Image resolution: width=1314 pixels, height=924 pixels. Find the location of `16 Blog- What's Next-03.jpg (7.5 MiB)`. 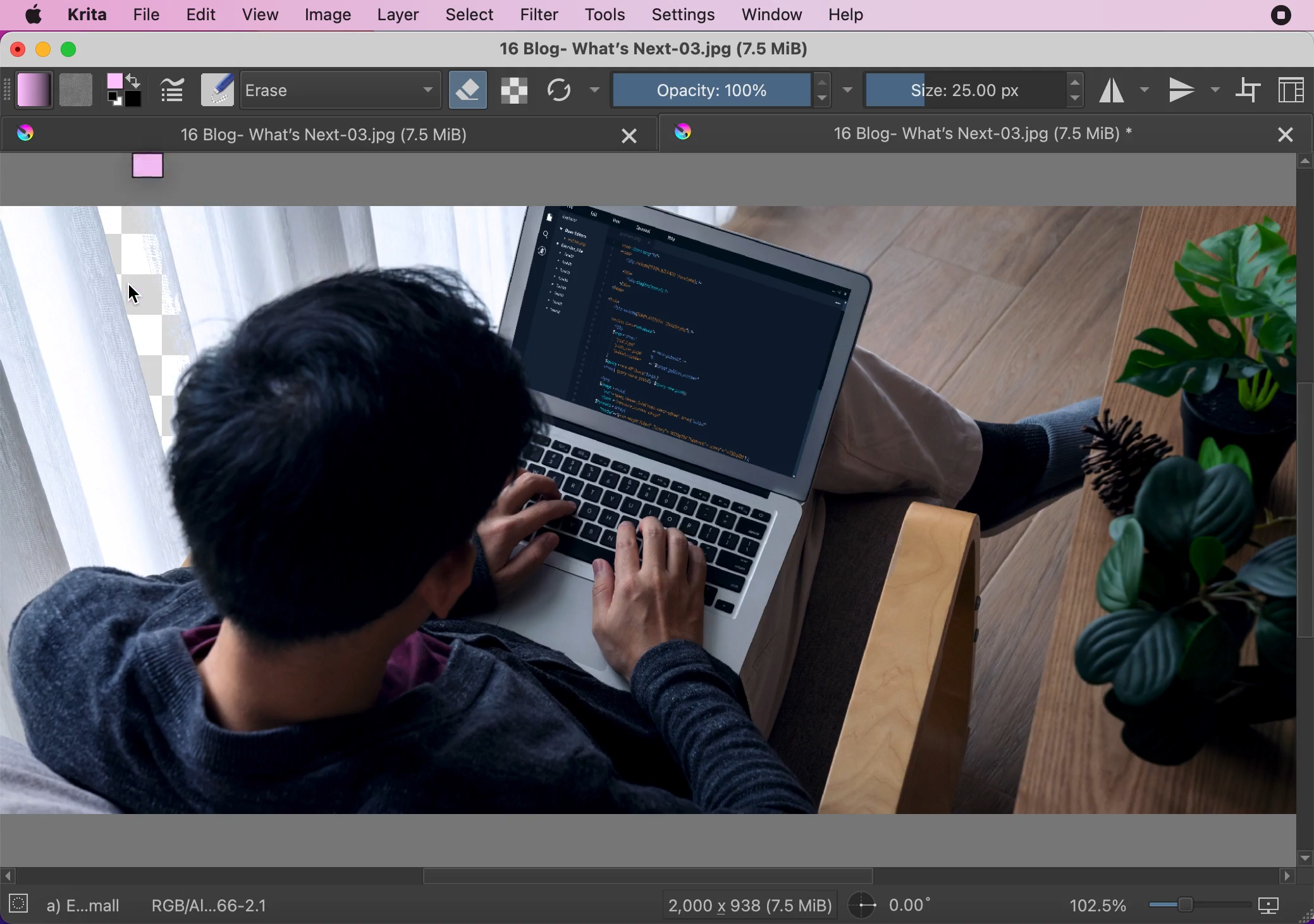

16 Blog- What's Next-03.jpg (7.5 MiB) is located at coordinates (961, 133).